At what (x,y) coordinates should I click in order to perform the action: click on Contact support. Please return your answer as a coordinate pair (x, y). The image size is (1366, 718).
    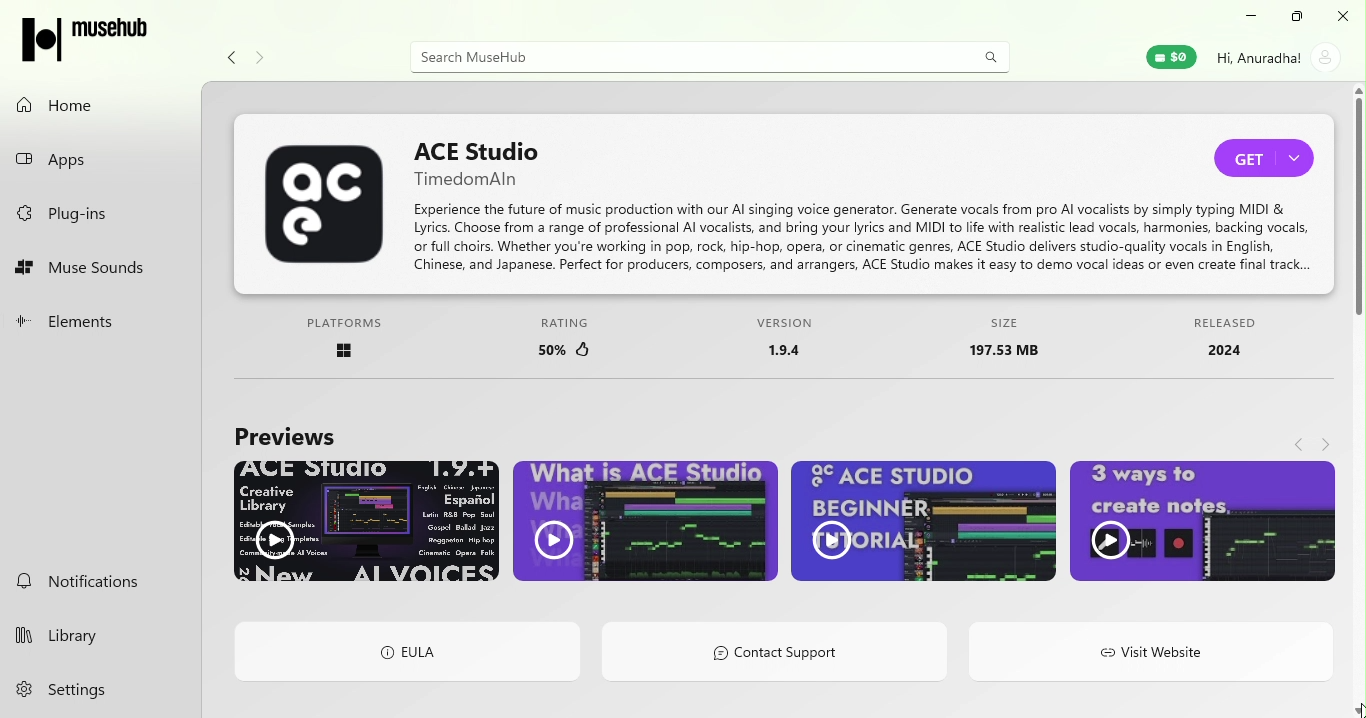
    Looking at the image, I should click on (775, 655).